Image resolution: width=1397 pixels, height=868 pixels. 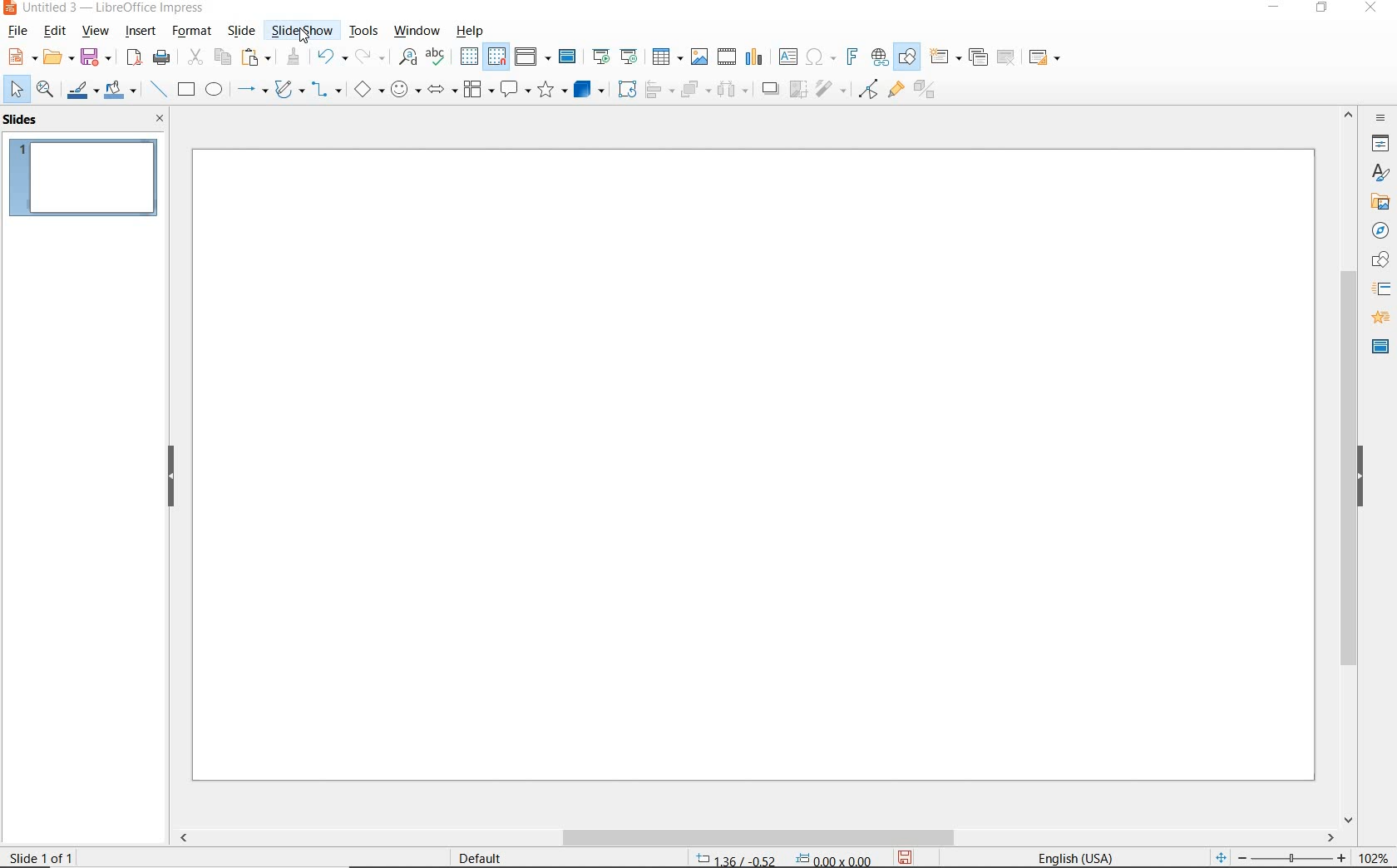 What do you see at coordinates (588, 91) in the screenshot?
I see `3D OBJECTS` at bounding box center [588, 91].